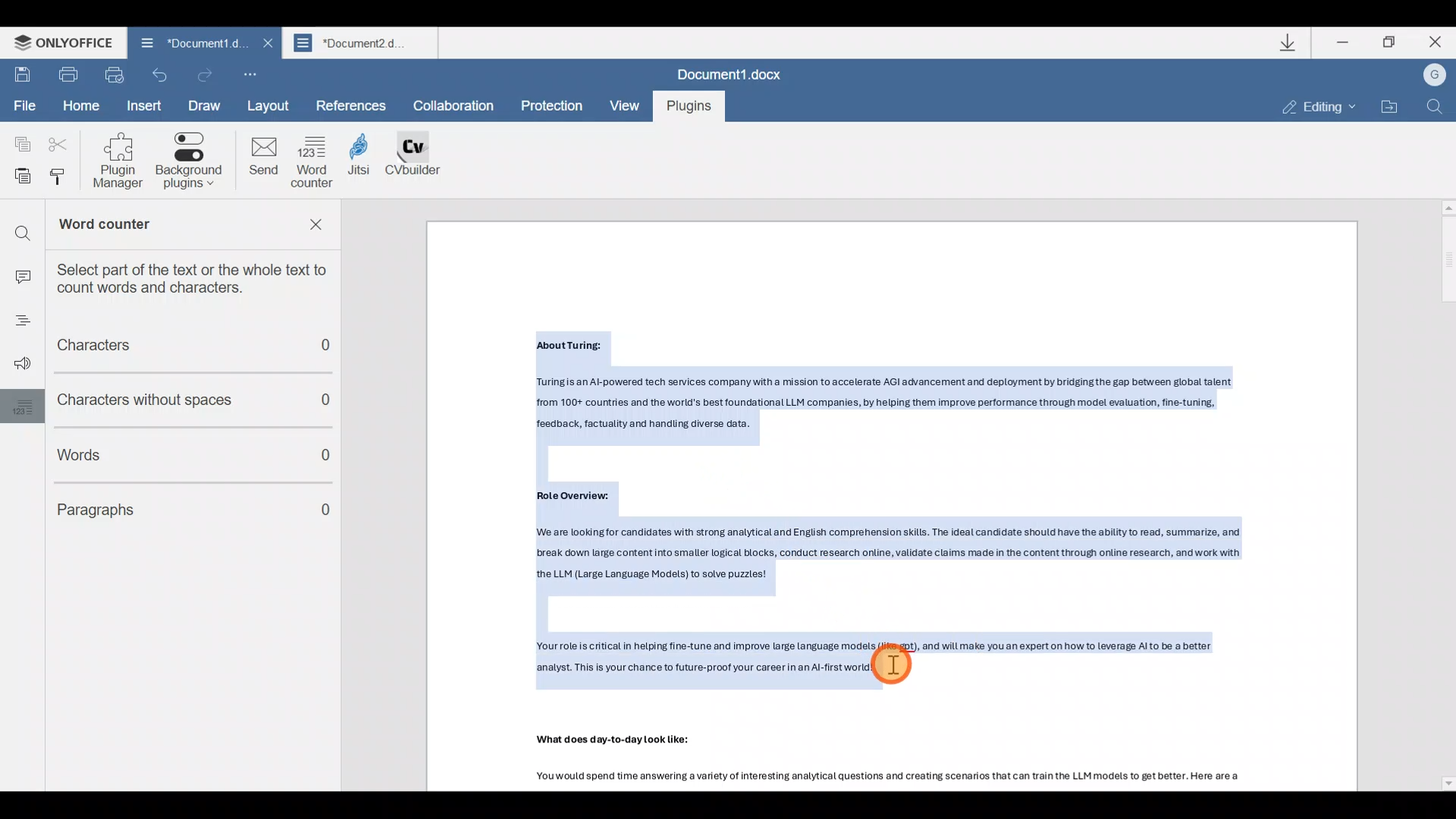 The height and width of the screenshot is (819, 1456). Describe the element at coordinates (22, 227) in the screenshot. I see `search` at that location.